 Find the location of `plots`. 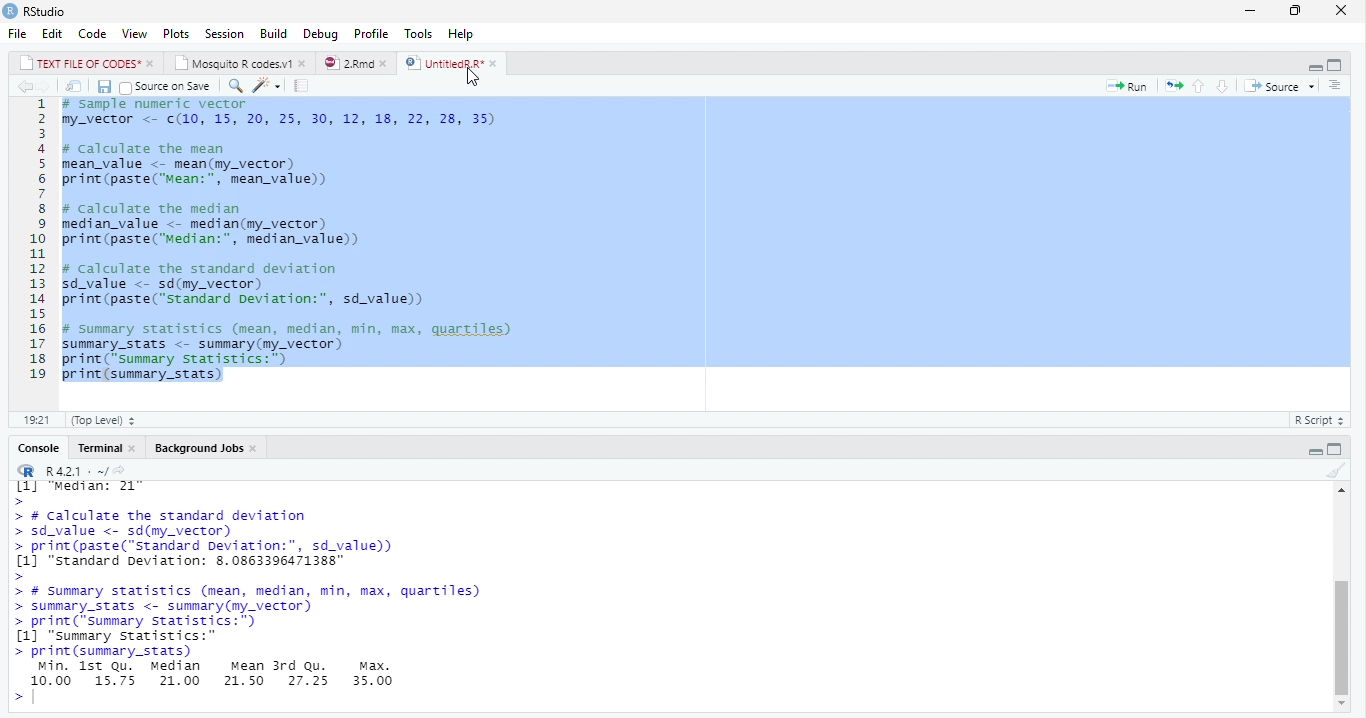

plots is located at coordinates (177, 34).